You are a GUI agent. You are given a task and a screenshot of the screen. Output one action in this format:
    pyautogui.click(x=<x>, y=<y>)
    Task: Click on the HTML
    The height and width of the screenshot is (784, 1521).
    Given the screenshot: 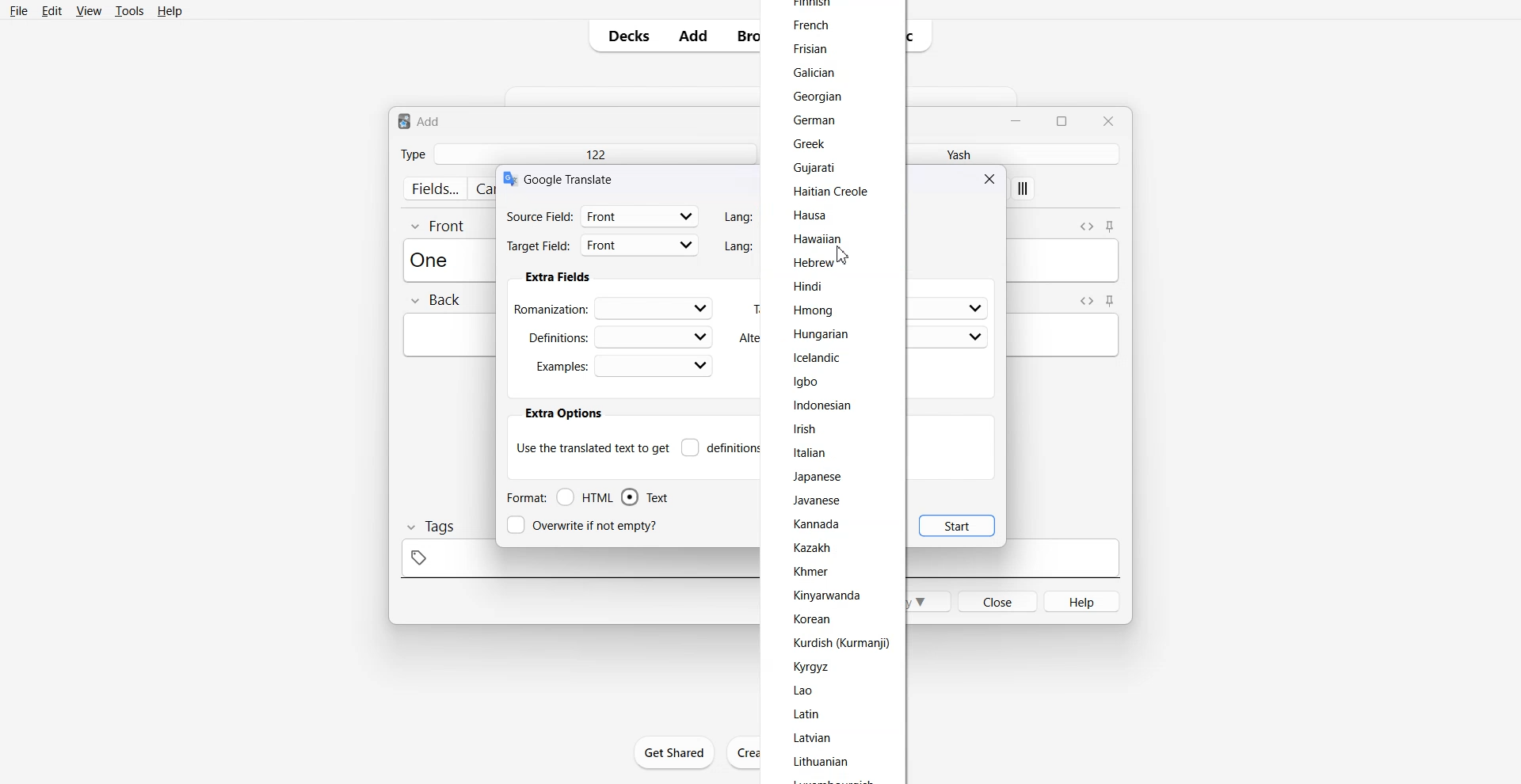 What is the action you would take?
    pyautogui.click(x=585, y=497)
    